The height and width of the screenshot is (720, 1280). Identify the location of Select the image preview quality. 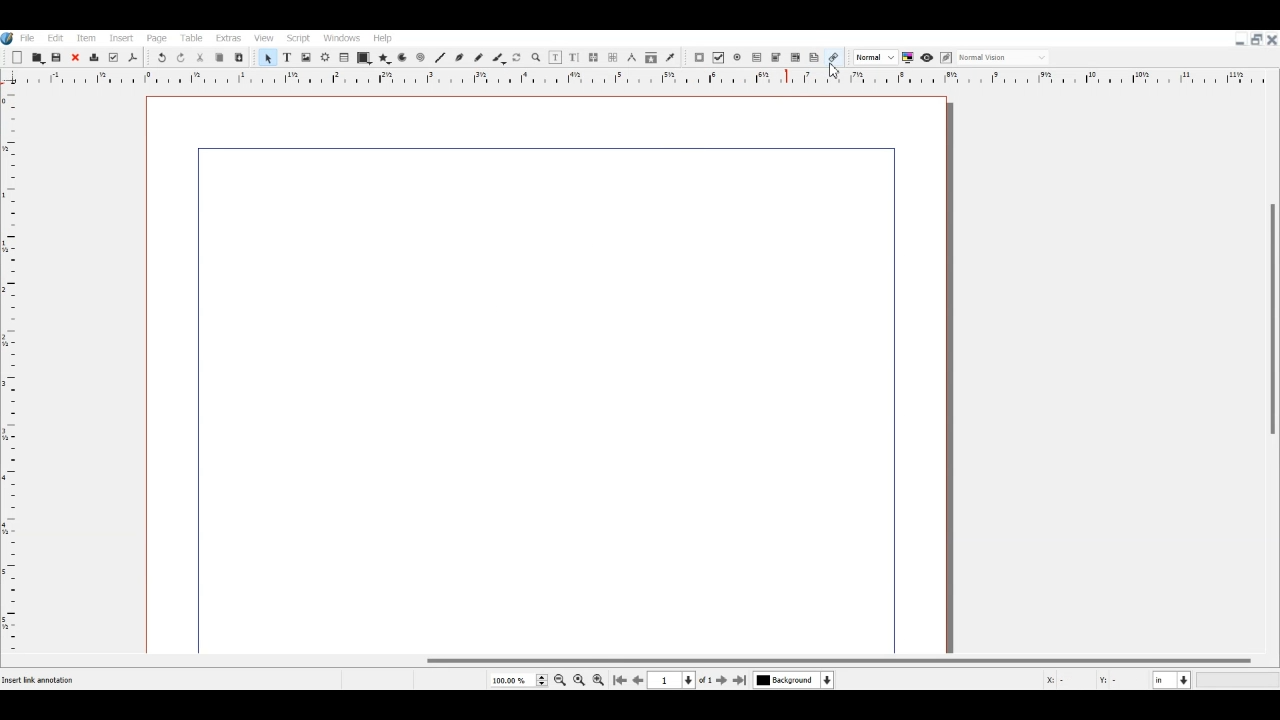
(874, 57).